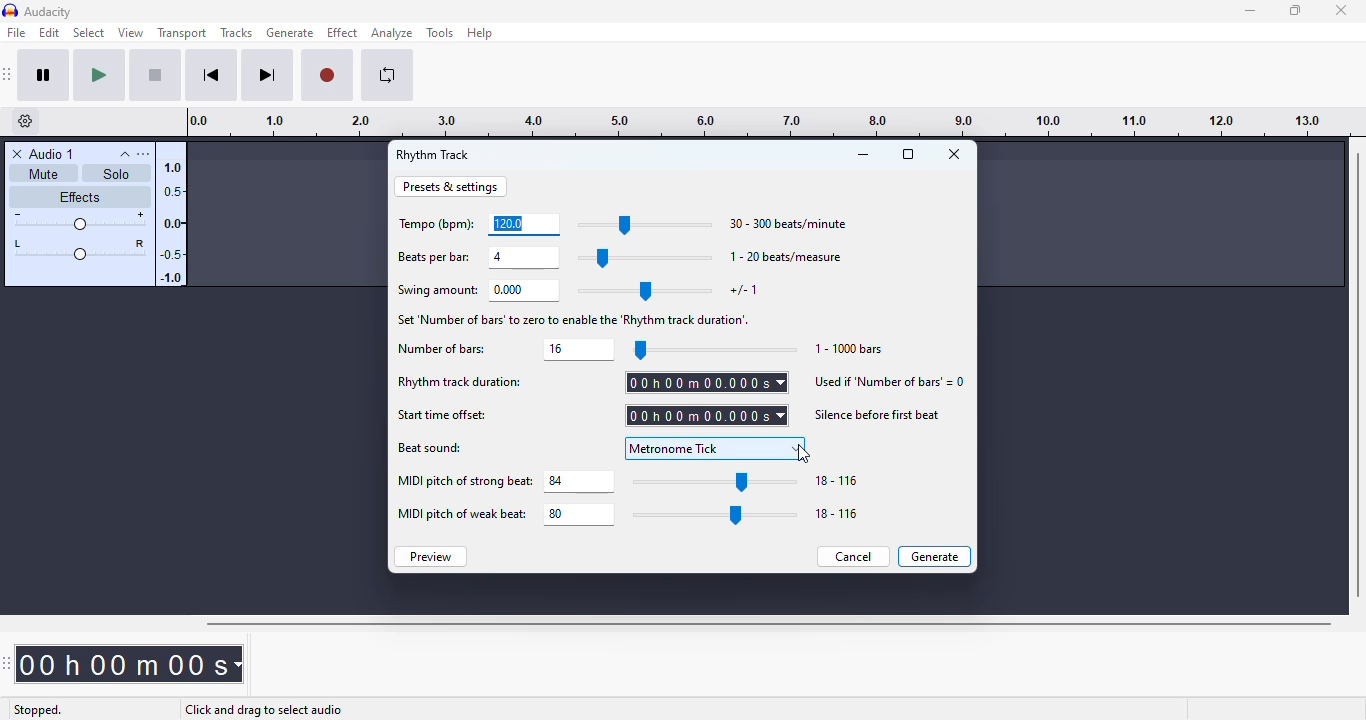 The image size is (1366, 720). Describe the element at coordinates (803, 454) in the screenshot. I see `cursor` at that location.